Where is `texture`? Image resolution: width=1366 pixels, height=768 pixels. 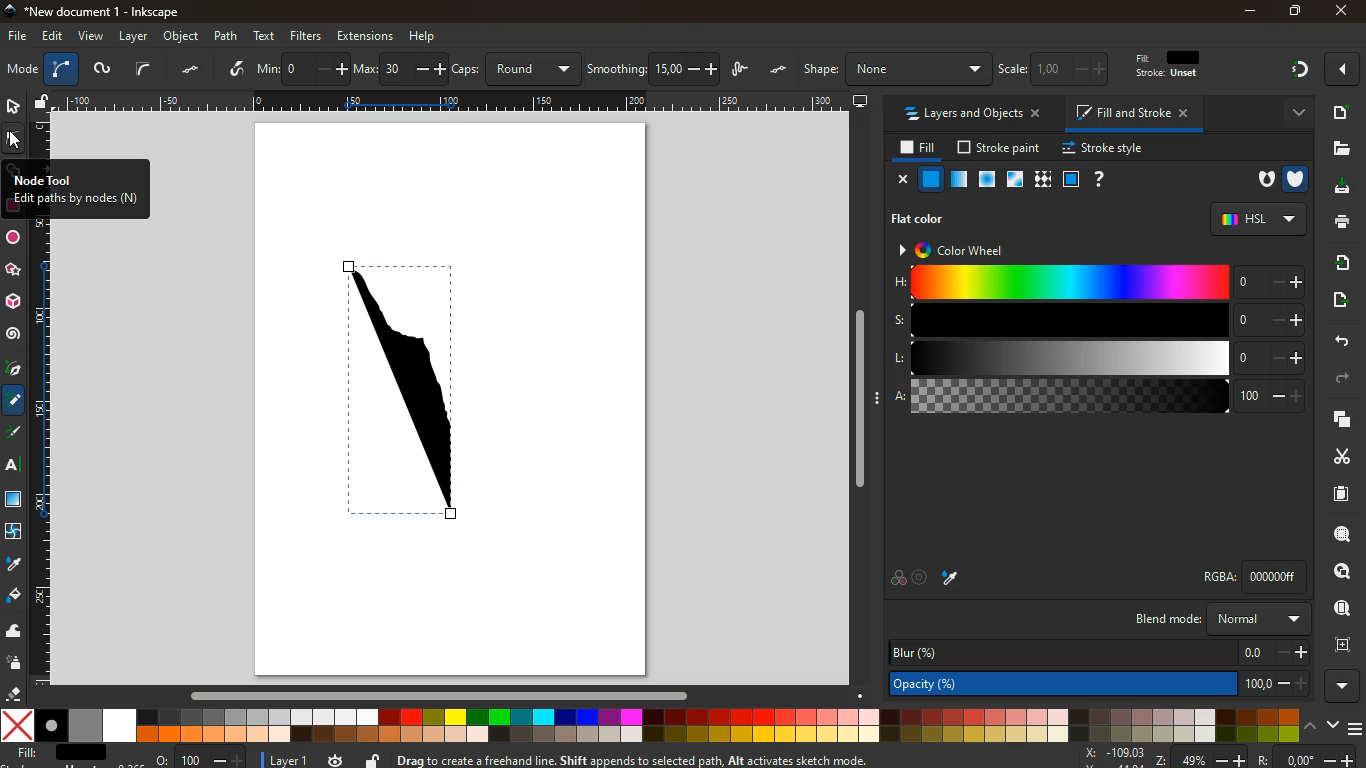 texture is located at coordinates (14, 499).